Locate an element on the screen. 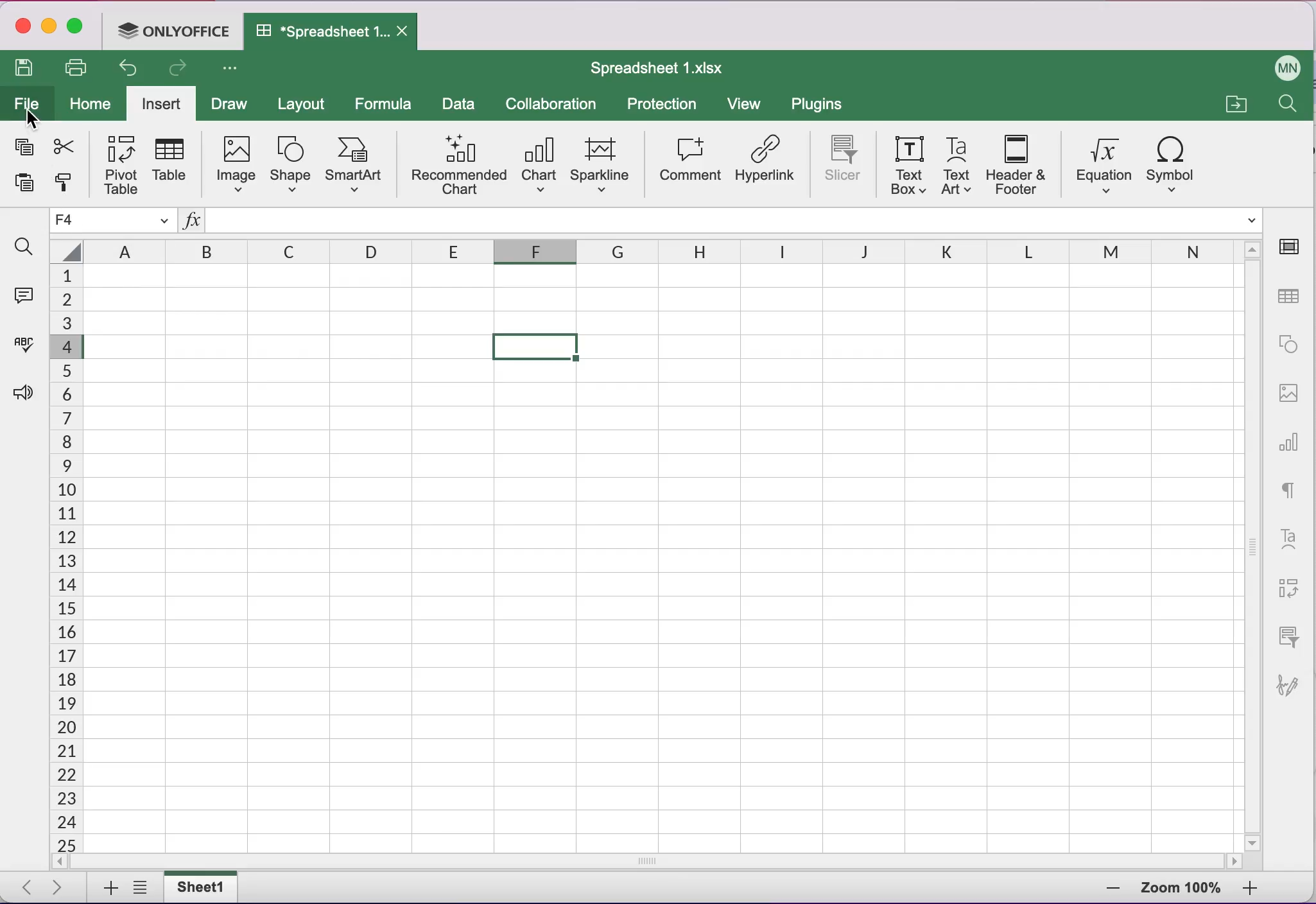 The width and height of the screenshot is (1316, 904). copy style is located at coordinates (65, 184).